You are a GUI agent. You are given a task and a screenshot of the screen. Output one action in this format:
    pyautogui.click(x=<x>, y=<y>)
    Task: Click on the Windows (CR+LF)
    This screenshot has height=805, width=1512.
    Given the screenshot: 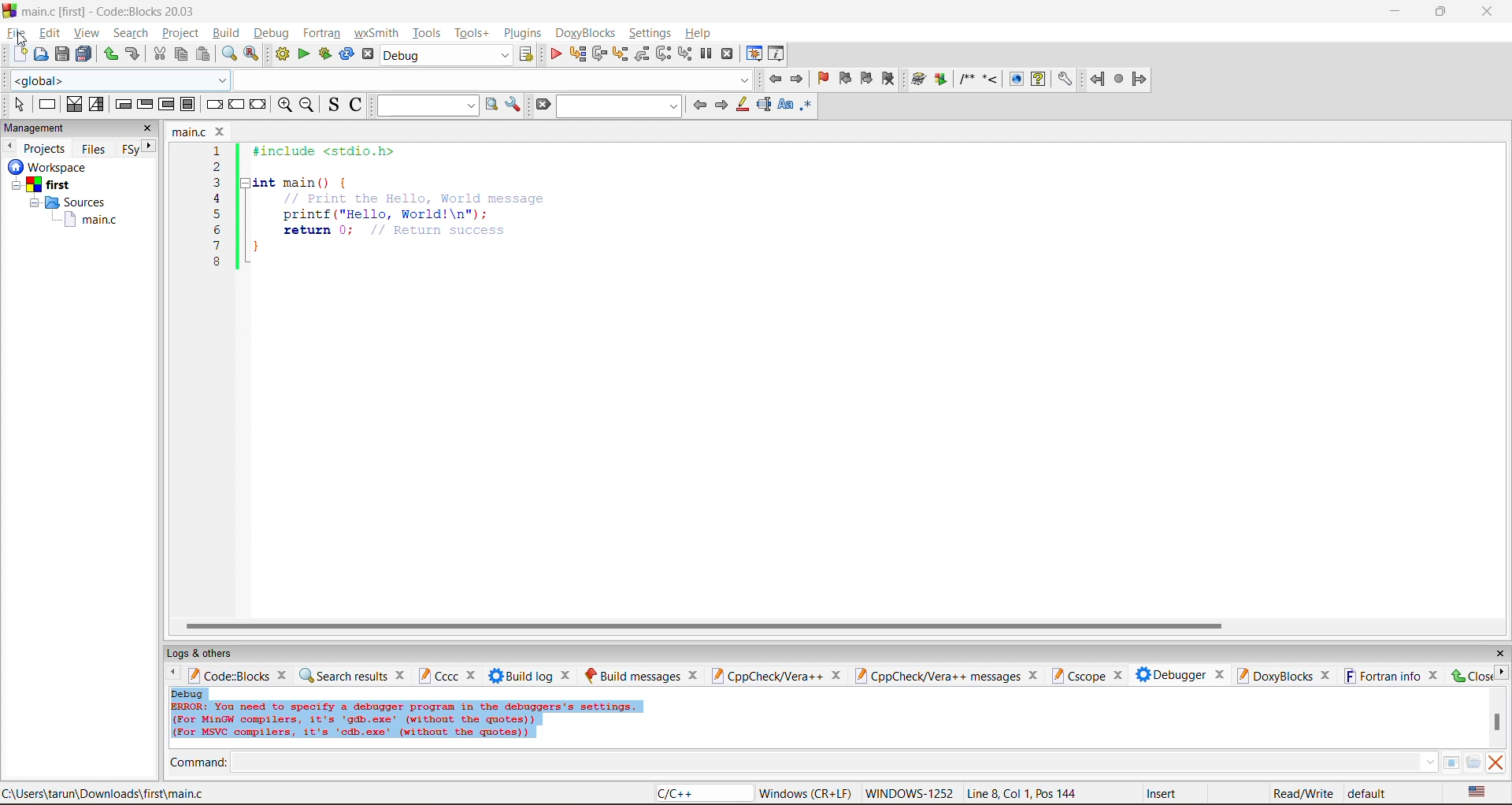 What is the action you would take?
    pyautogui.click(x=807, y=793)
    